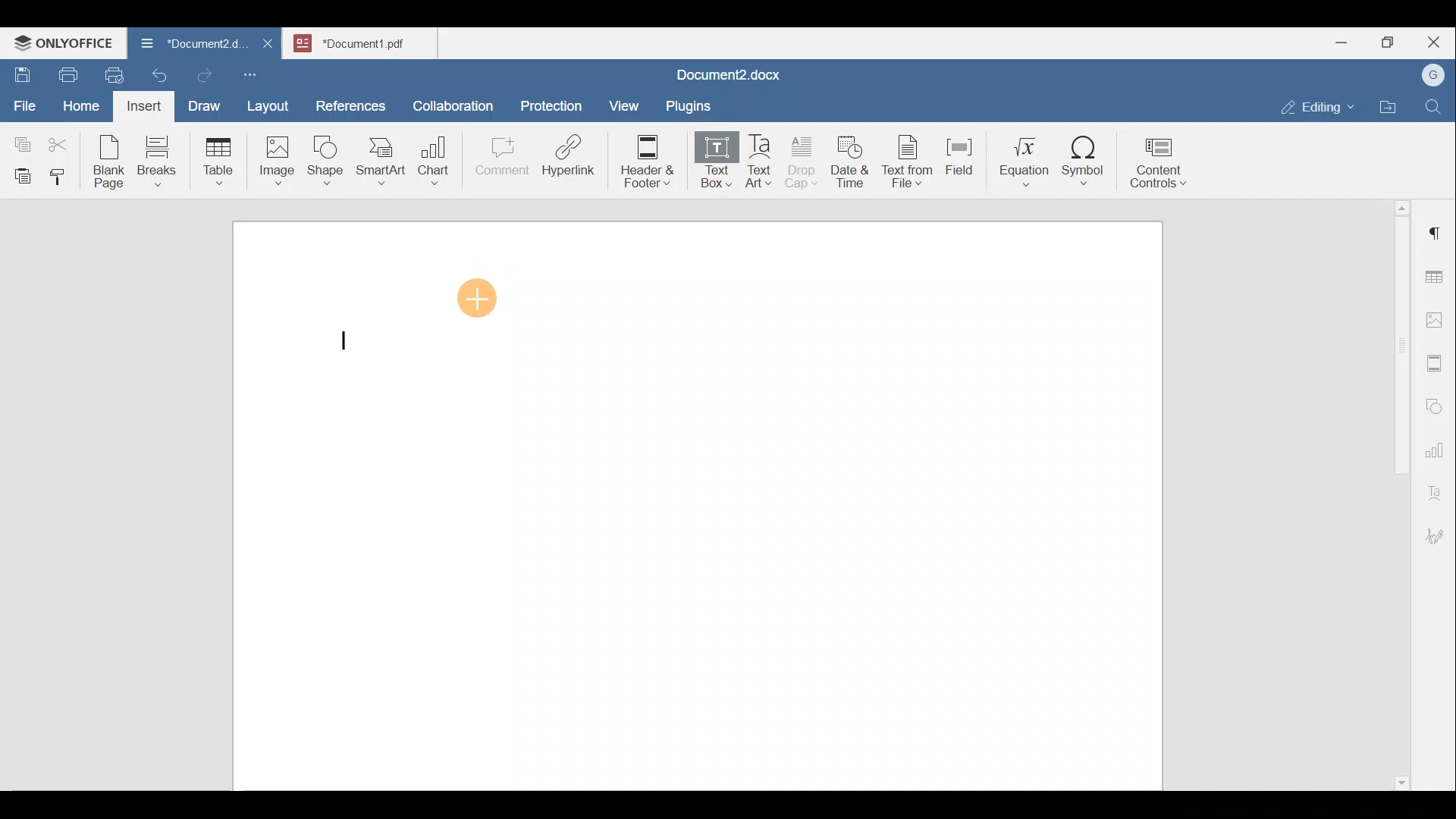 This screenshot has width=1456, height=819. Describe the element at coordinates (156, 73) in the screenshot. I see `Undo` at that location.